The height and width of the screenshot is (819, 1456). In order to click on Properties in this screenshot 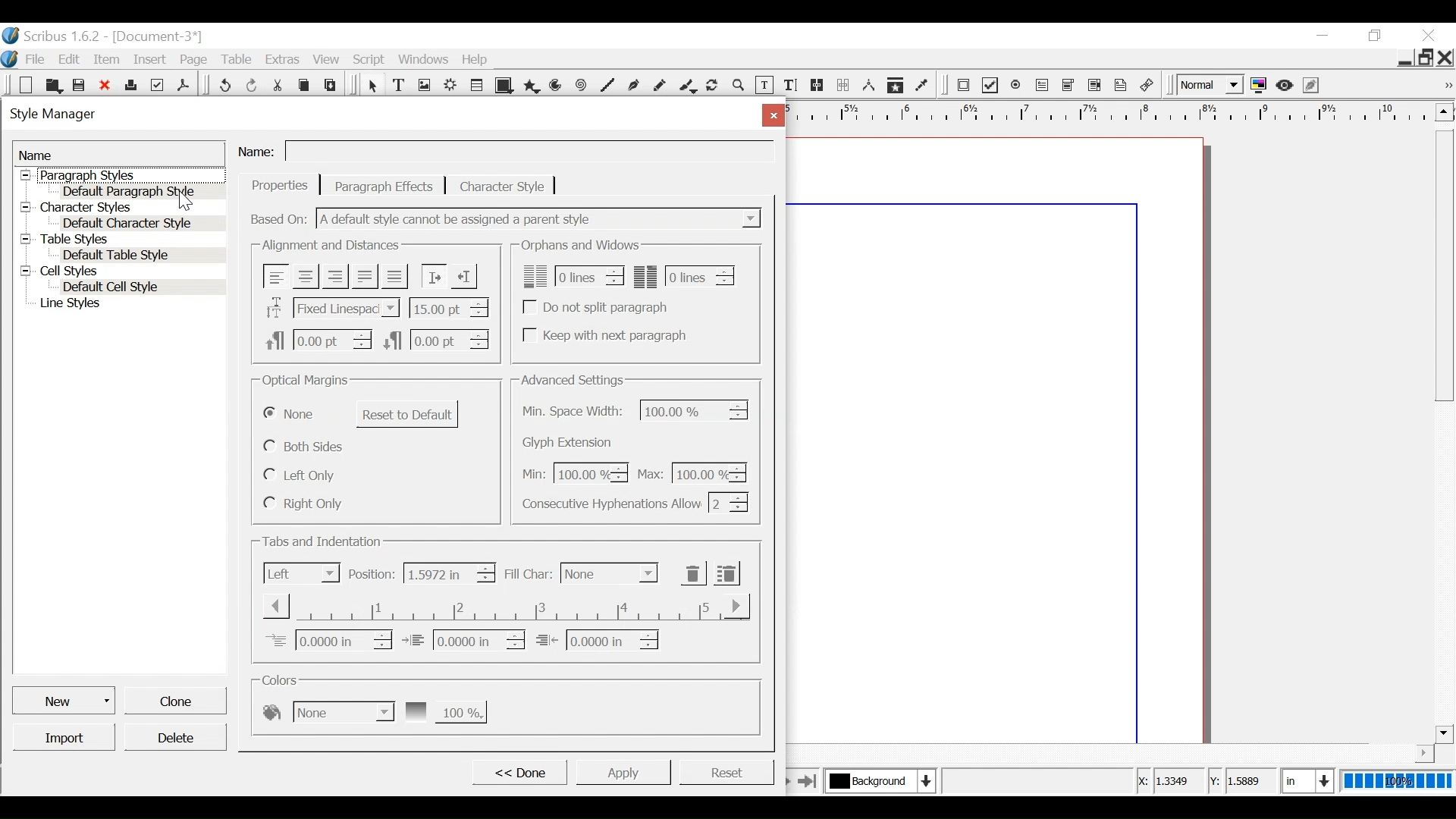, I will do `click(280, 185)`.